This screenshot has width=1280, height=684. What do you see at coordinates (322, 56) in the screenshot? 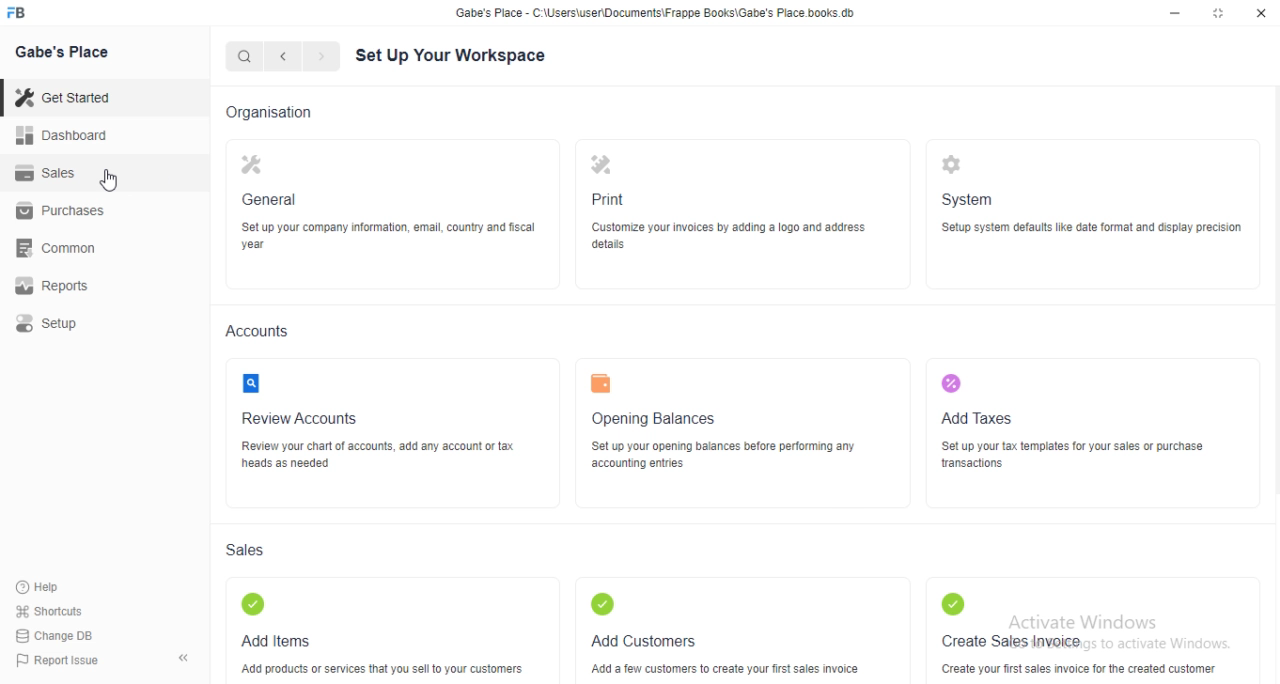
I see `next` at bounding box center [322, 56].